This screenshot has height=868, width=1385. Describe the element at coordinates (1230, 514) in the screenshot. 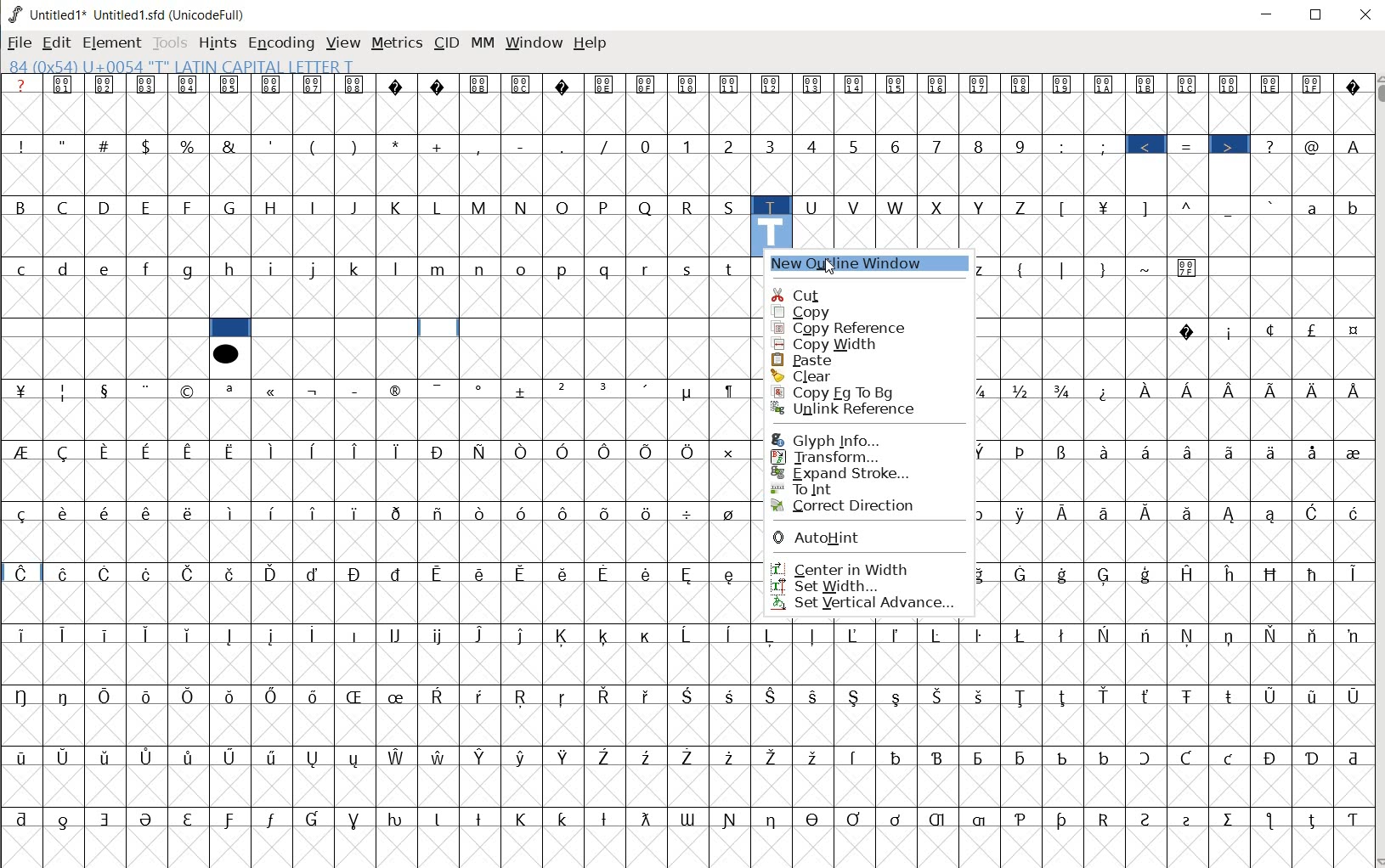

I see `Symbol` at that location.